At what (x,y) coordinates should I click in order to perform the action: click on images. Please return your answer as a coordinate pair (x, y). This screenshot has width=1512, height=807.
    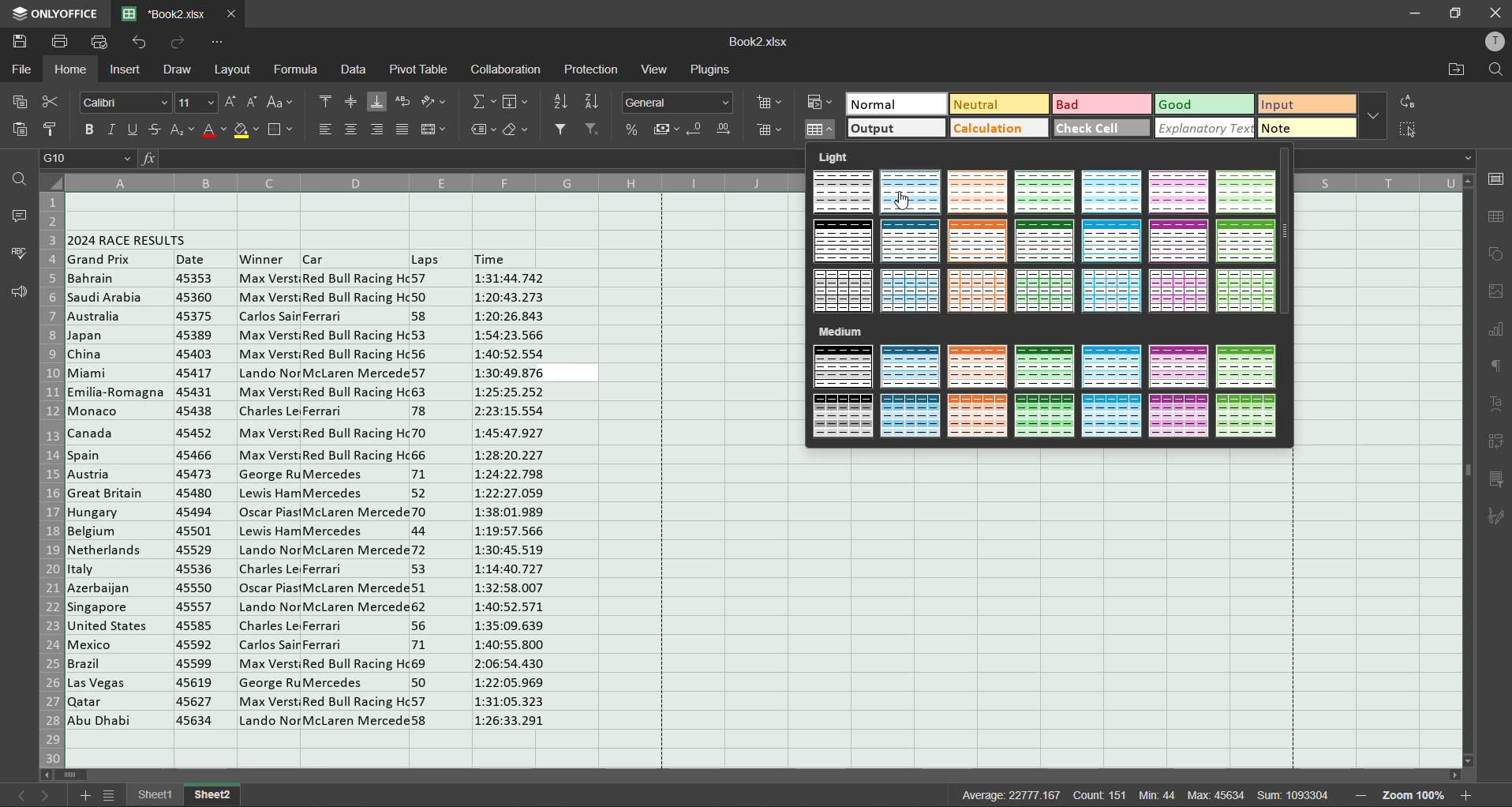
    Looking at the image, I should click on (1496, 293).